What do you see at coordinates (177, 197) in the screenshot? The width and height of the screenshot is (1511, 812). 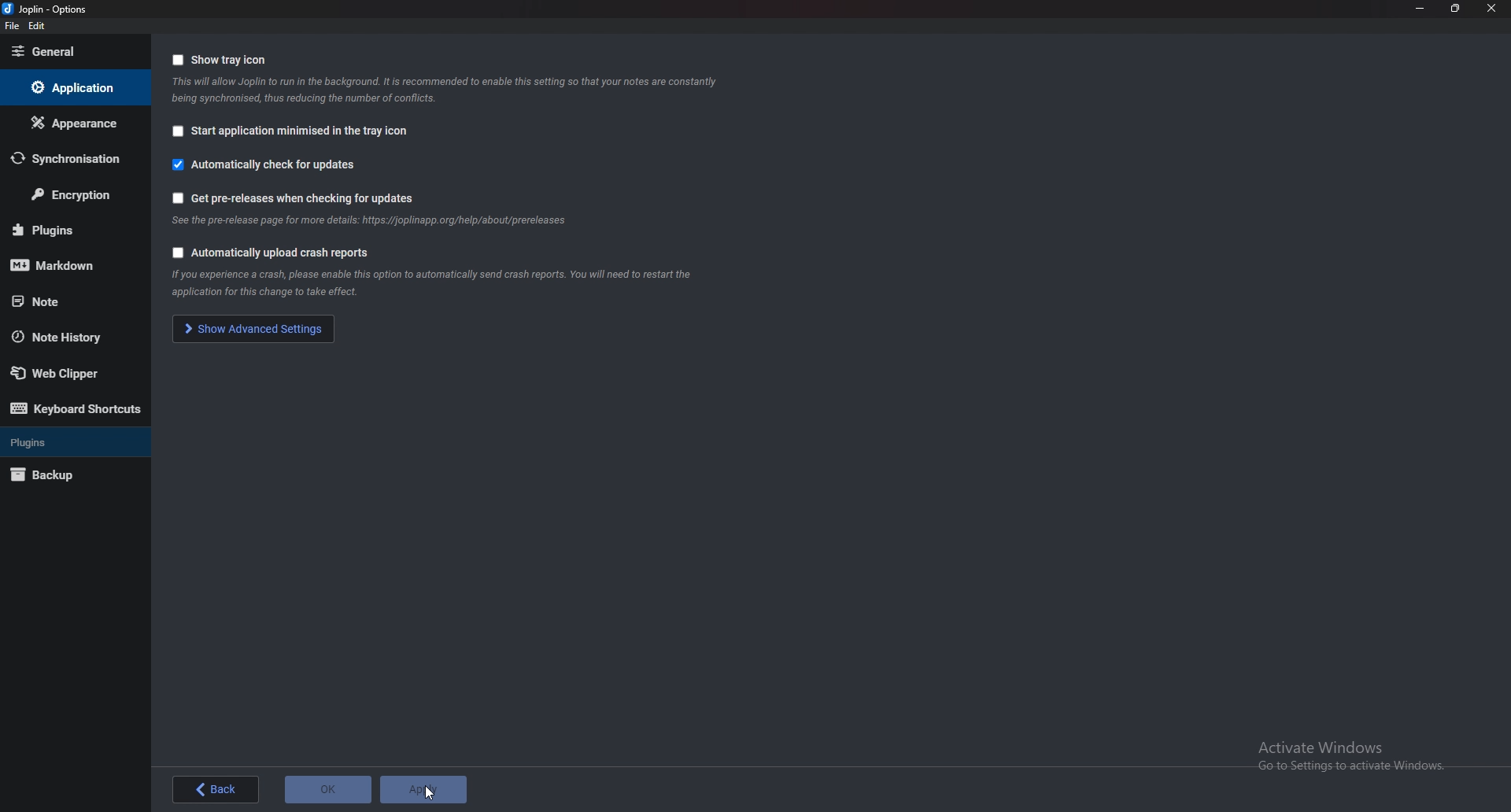 I see `Checkbox ` at bounding box center [177, 197].